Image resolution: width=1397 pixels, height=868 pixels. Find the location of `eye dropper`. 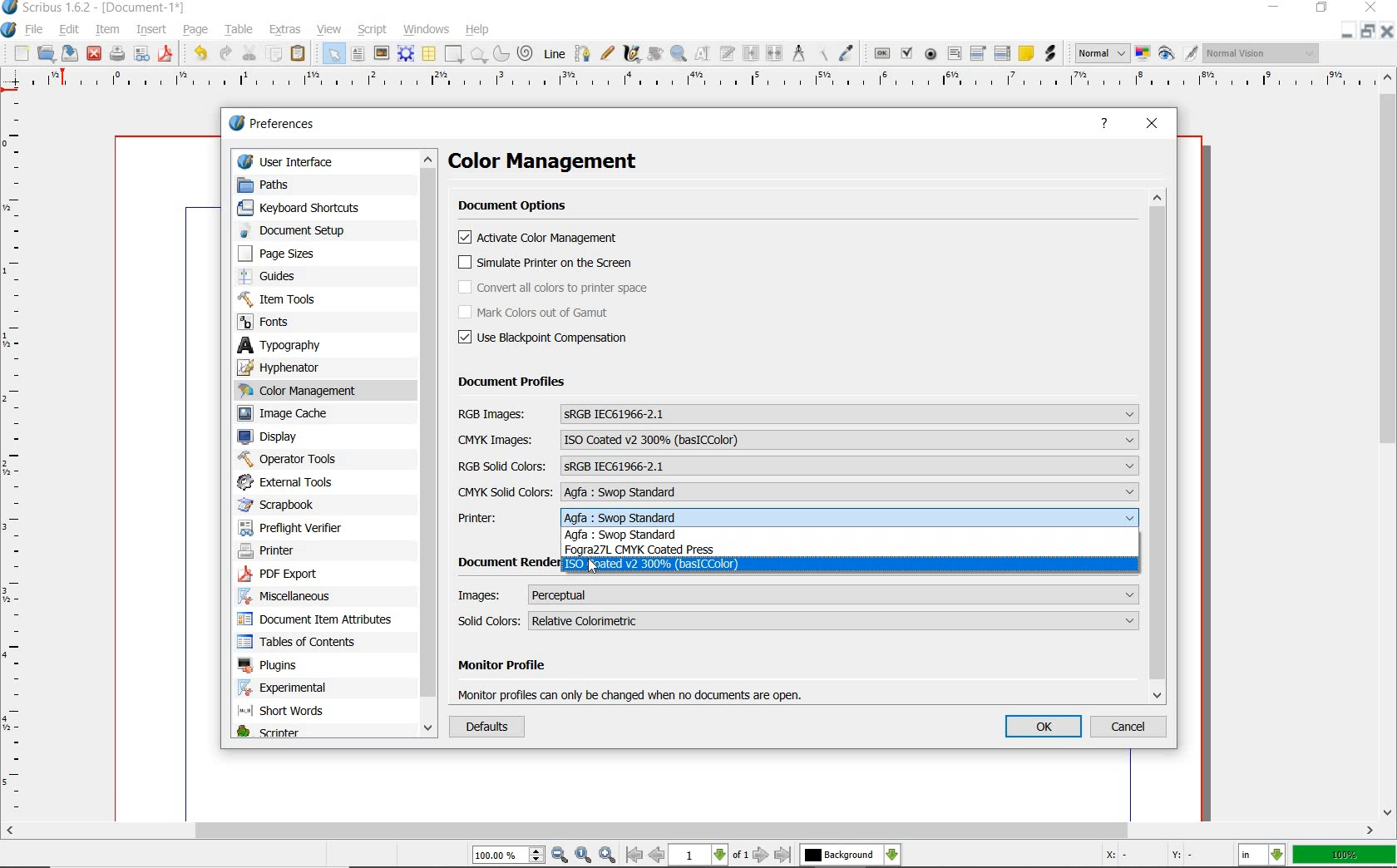

eye dropper is located at coordinates (848, 52).